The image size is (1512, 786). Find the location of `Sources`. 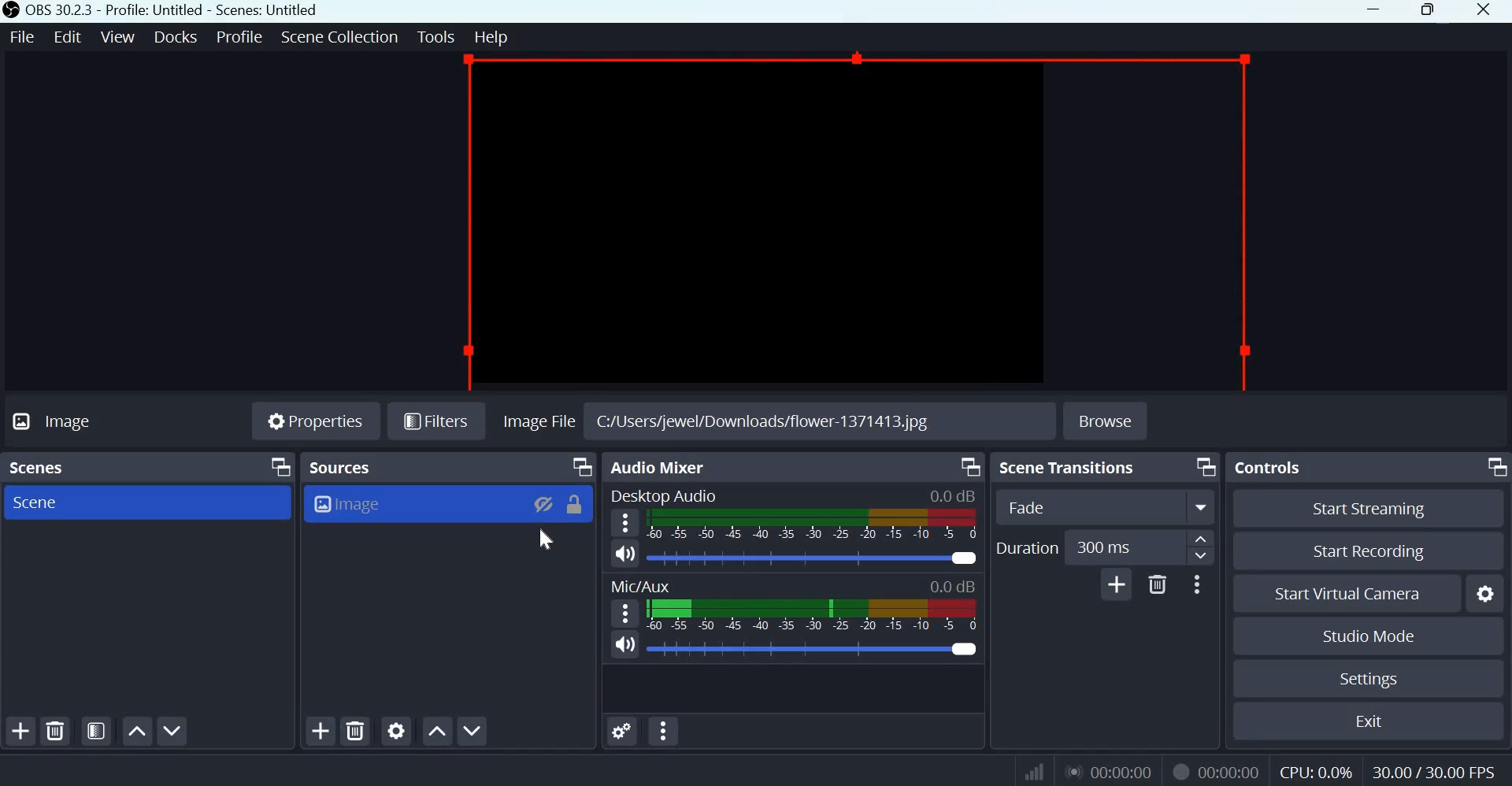

Sources is located at coordinates (344, 465).